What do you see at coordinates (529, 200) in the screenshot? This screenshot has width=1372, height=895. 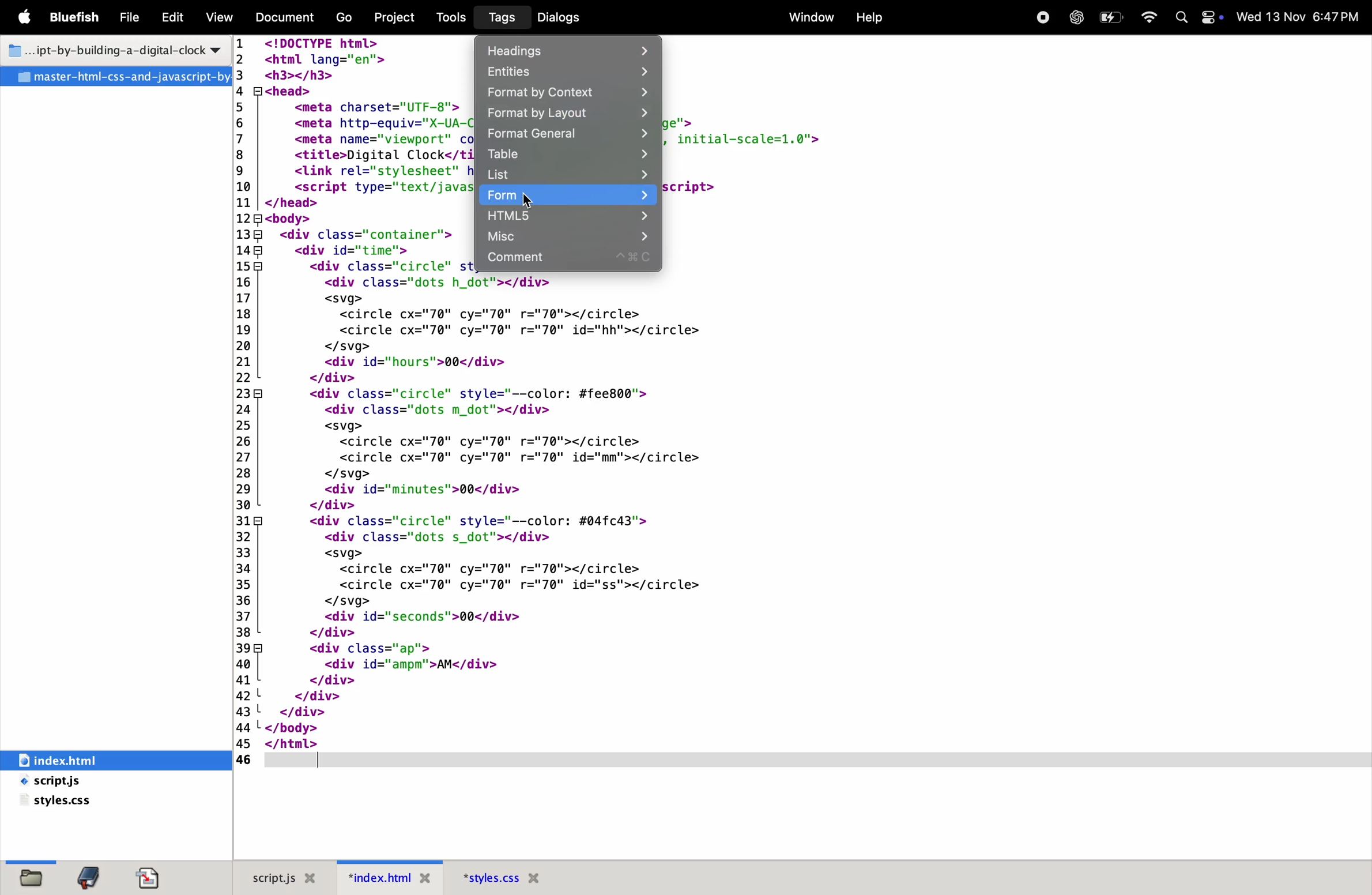 I see `Cursor` at bounding box center [529, 200].